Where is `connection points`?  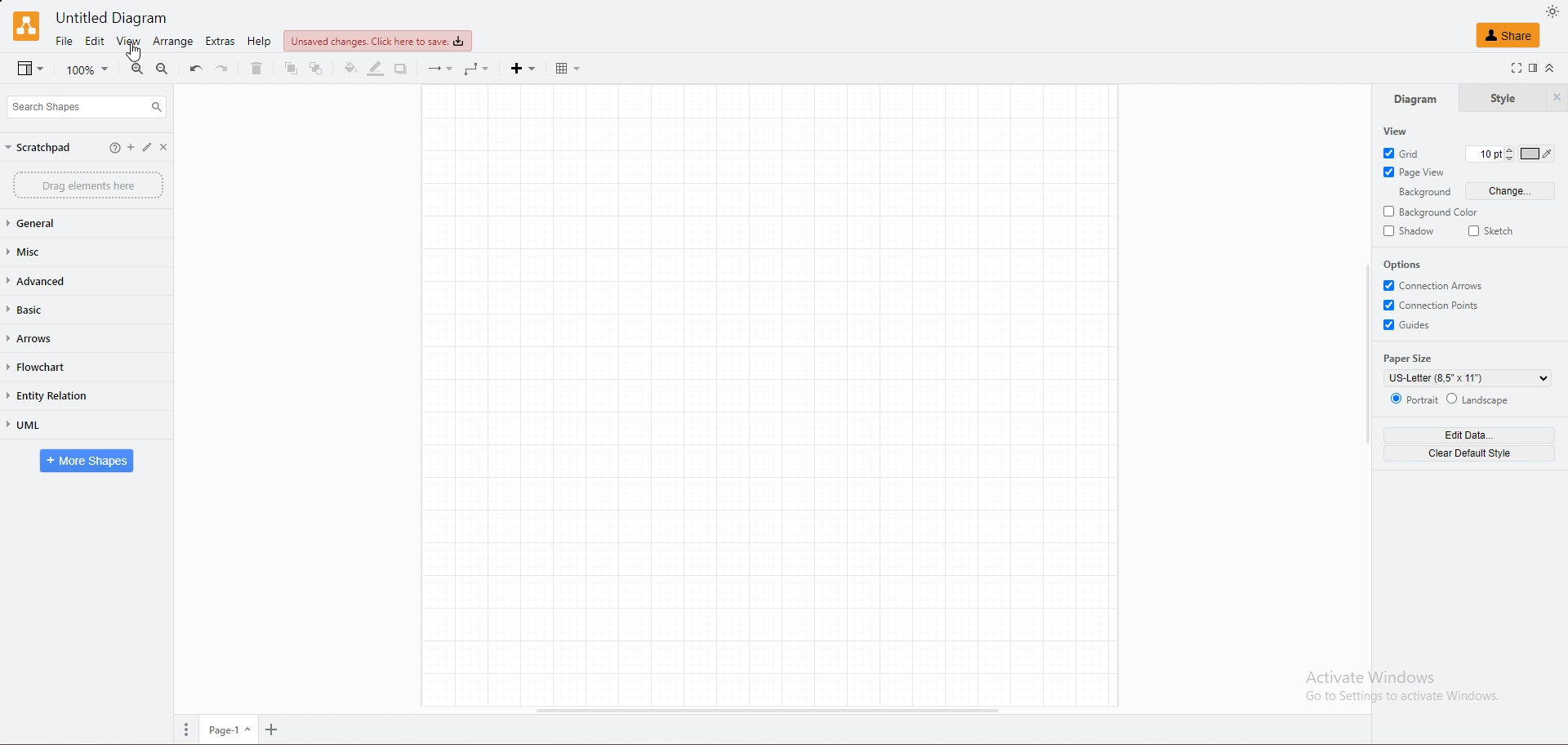
connection points is located at coordinates (1437, 305).